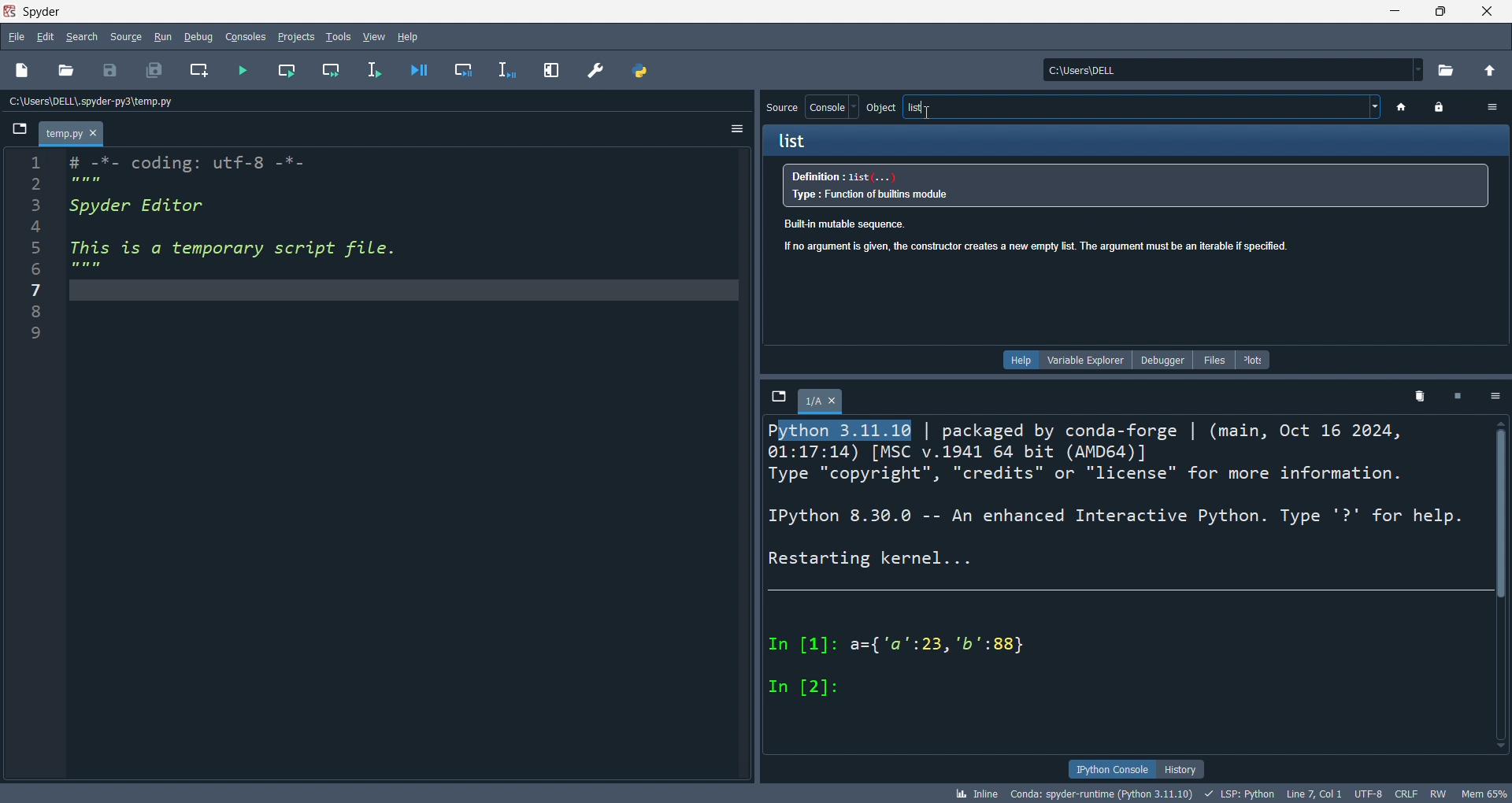 The image size is (1512, 803). What do you see at coordinates (735, 128) in the screenshot?
I see `options` at bounding box center [735, 128].